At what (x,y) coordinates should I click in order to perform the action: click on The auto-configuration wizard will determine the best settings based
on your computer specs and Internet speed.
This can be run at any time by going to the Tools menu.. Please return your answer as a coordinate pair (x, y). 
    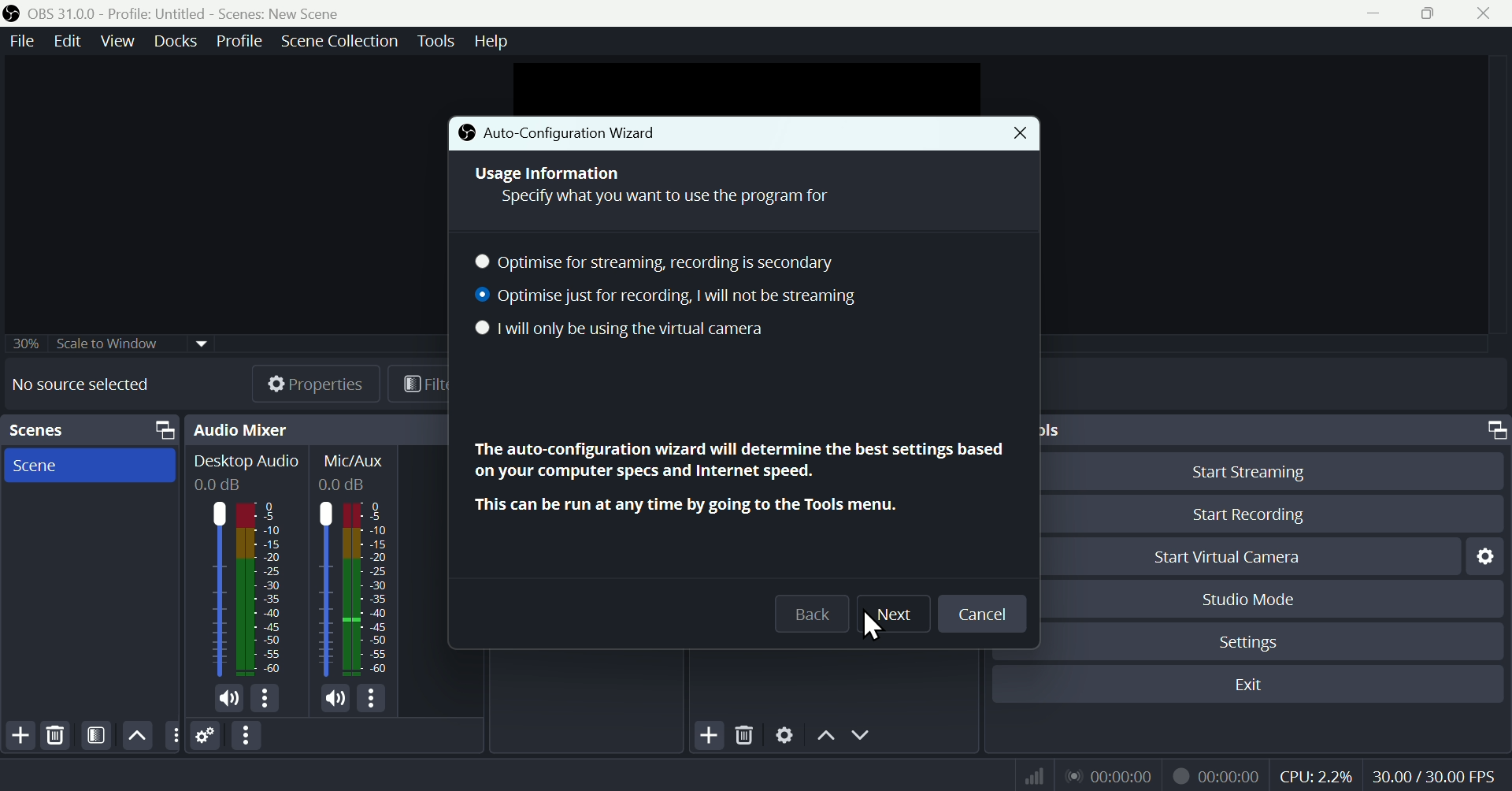
    Looking at the image, I should click on (736, 477).